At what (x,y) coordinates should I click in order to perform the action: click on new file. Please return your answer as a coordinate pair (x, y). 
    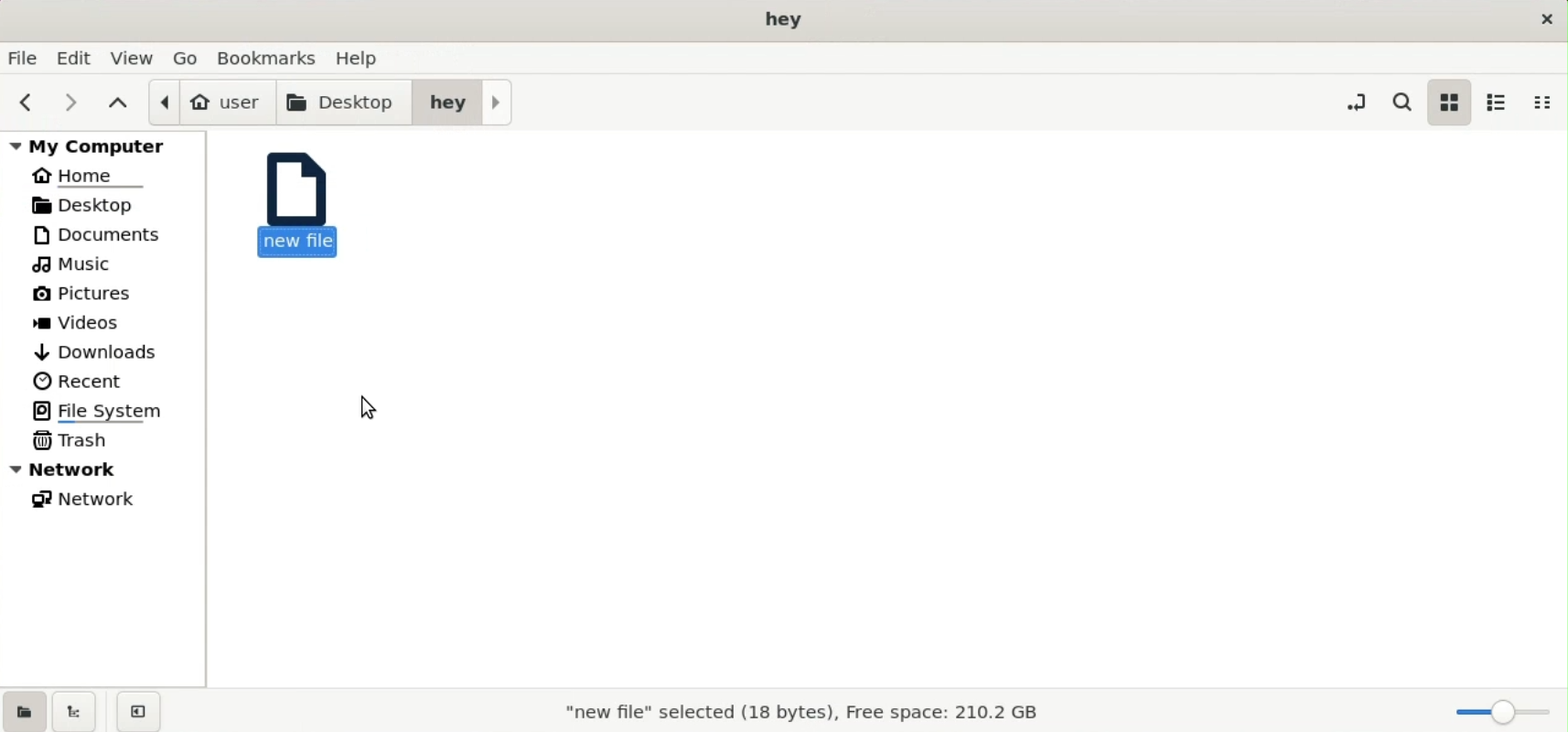
    Looking at the image, I should click on (300, 203).